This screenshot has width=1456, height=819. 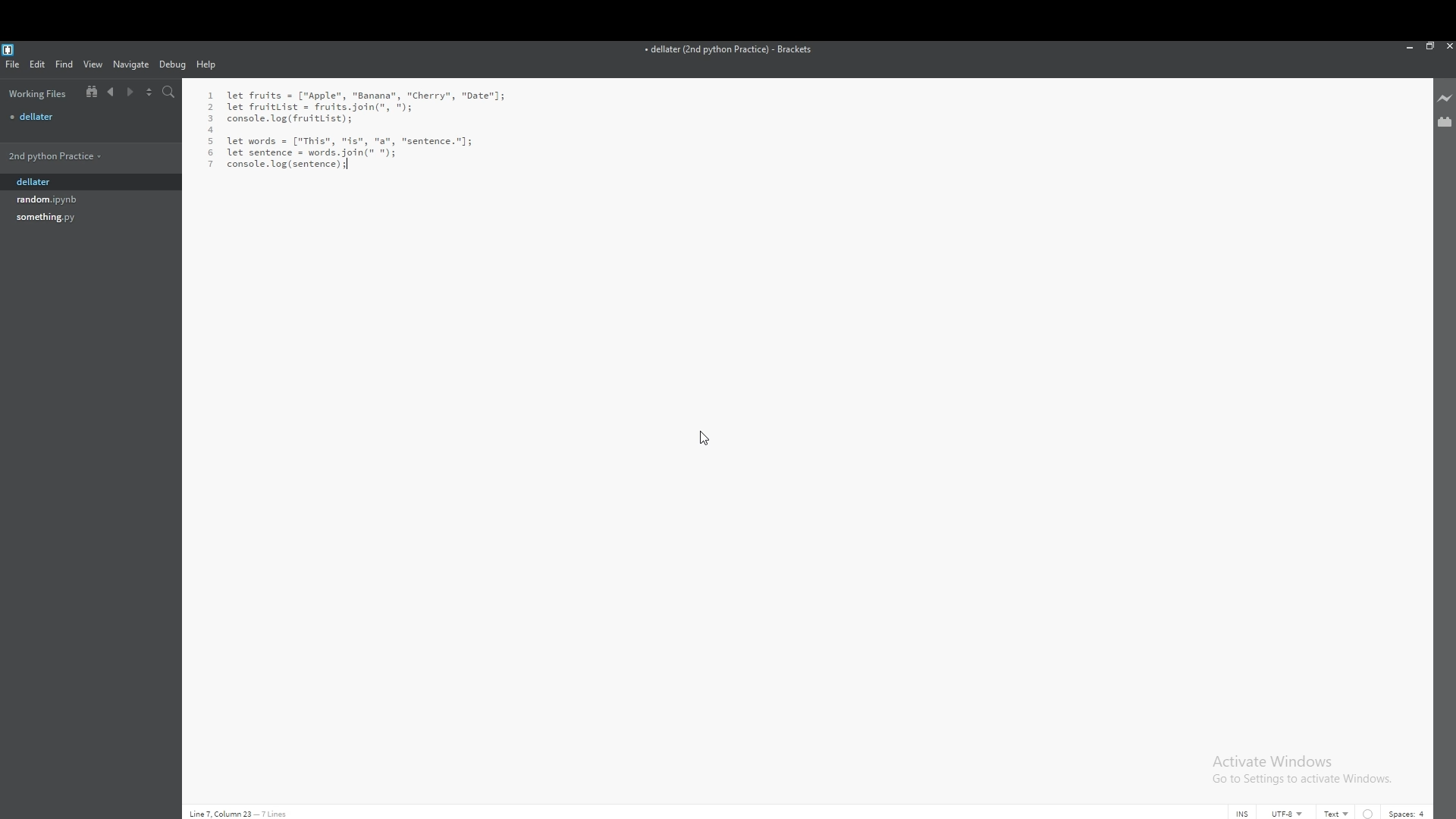 I want to click on file, so click(x=14, y=64).